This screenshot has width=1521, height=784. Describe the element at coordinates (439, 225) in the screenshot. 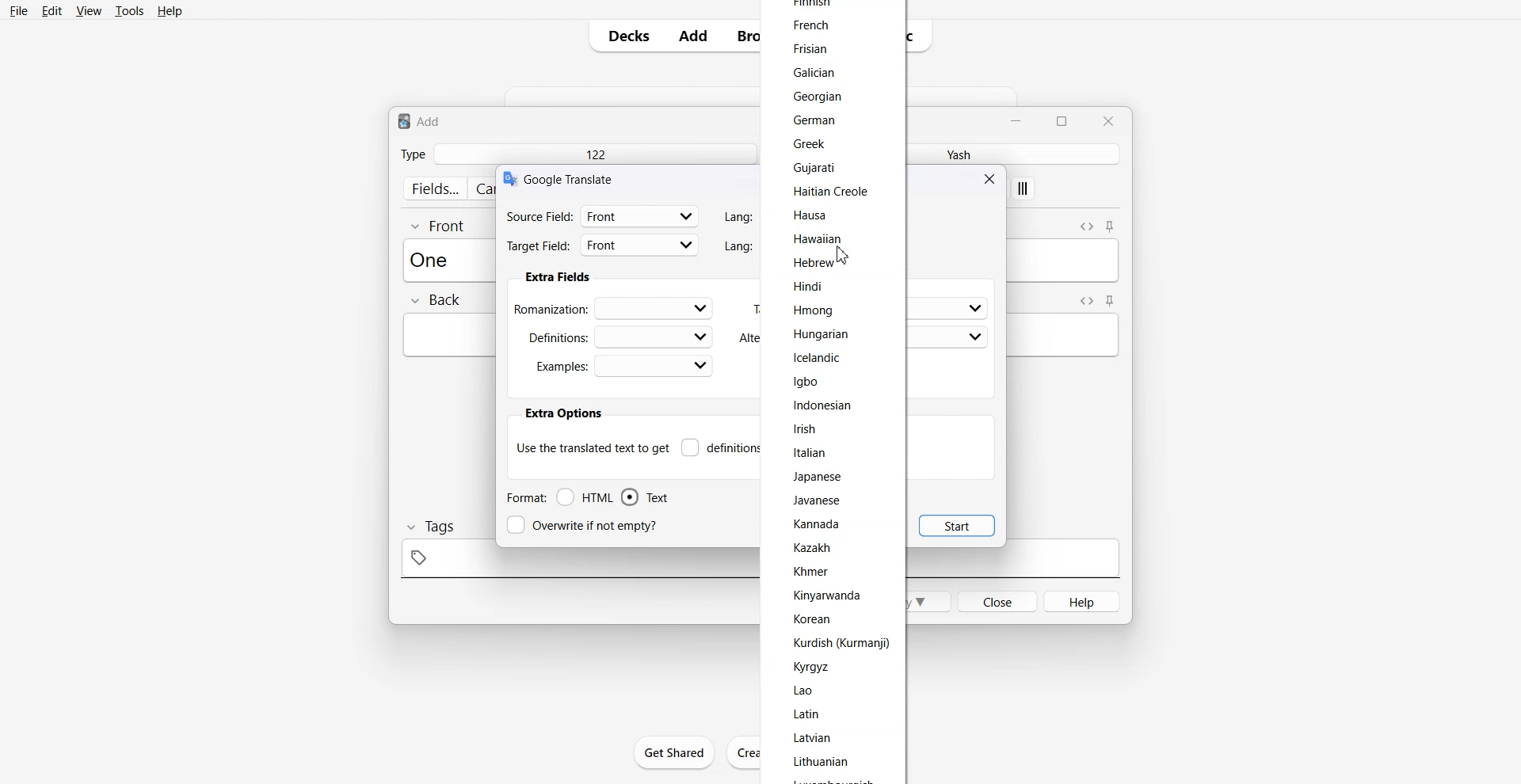

I see `Front` at that location.